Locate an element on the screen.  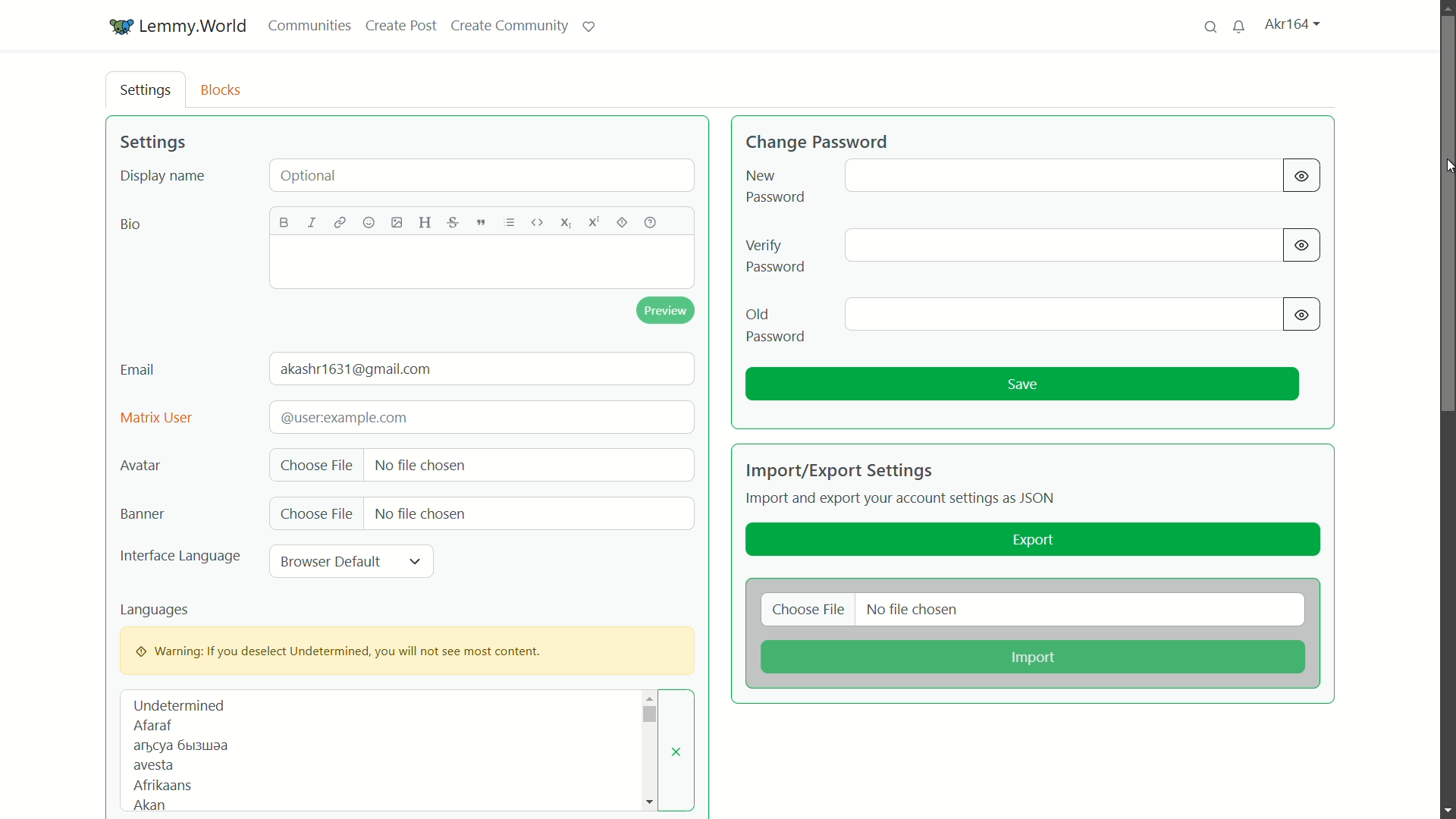
bio input bar is located at coordinates (484, 262).